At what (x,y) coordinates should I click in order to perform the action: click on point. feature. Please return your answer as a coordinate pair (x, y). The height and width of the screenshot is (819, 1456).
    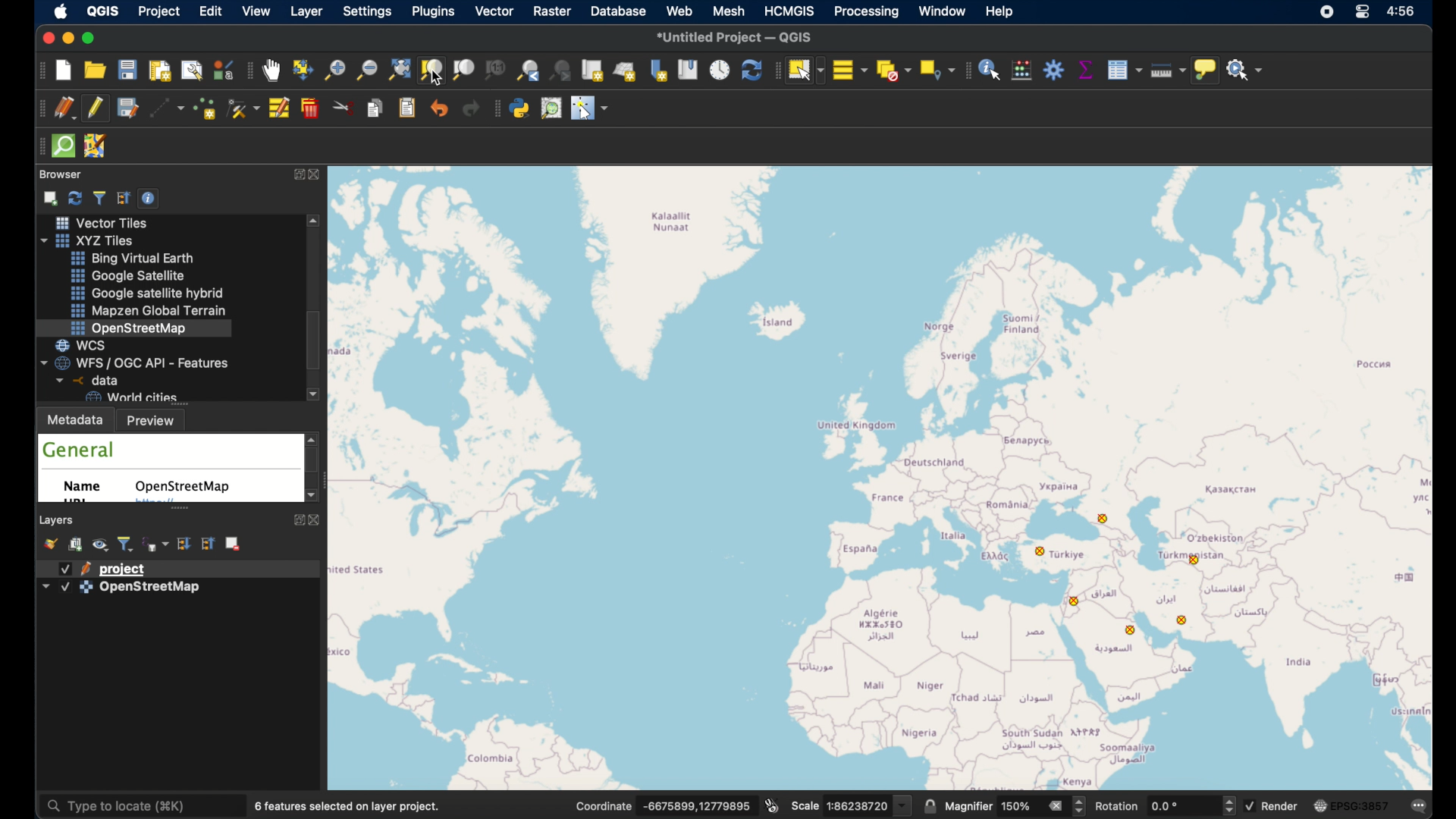
    Looking at the image, I should click on (1198, 560).